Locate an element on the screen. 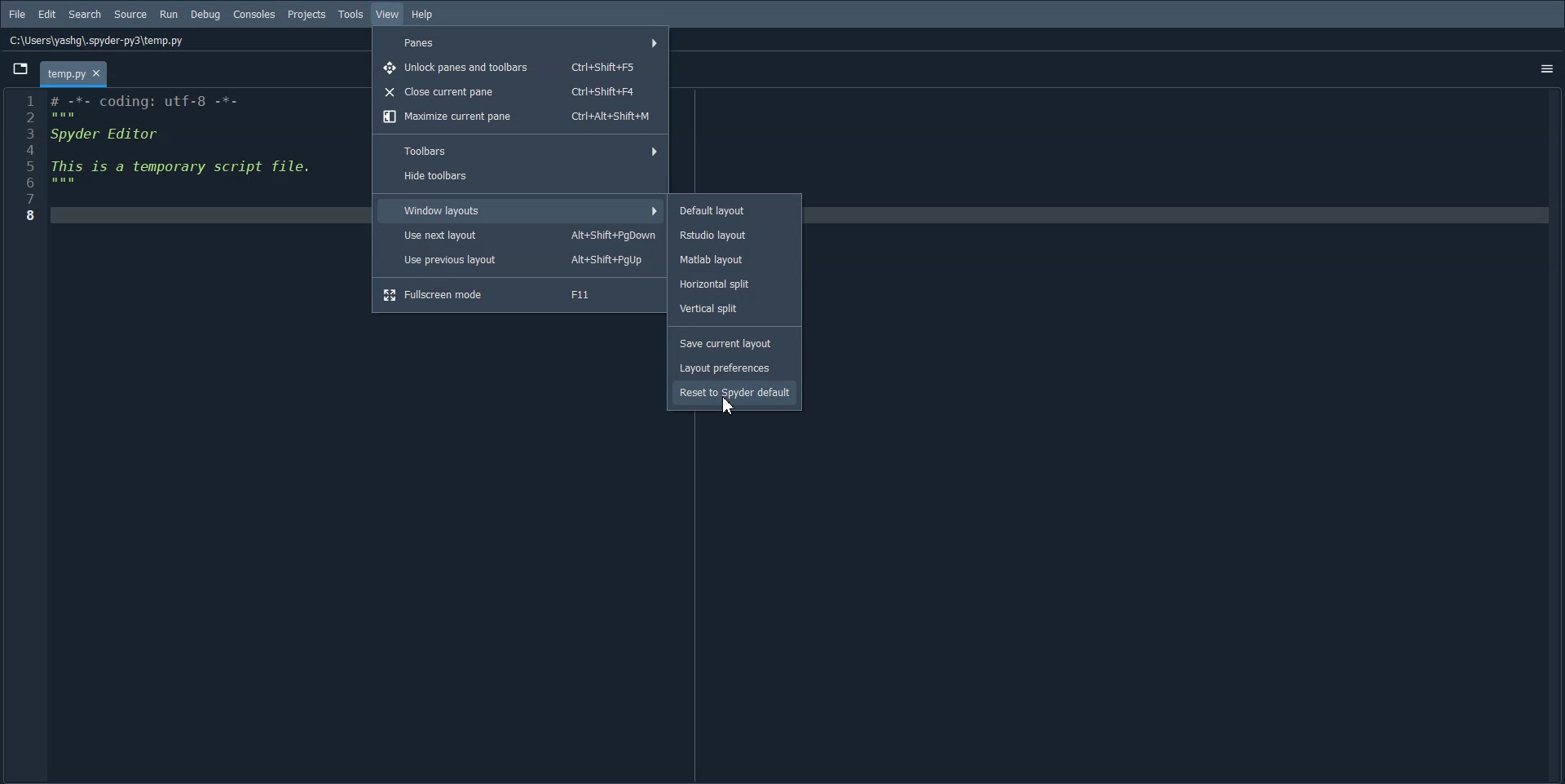 This screenshot has width=1565, height=784. Default layout is located at coordinates (734, 209).